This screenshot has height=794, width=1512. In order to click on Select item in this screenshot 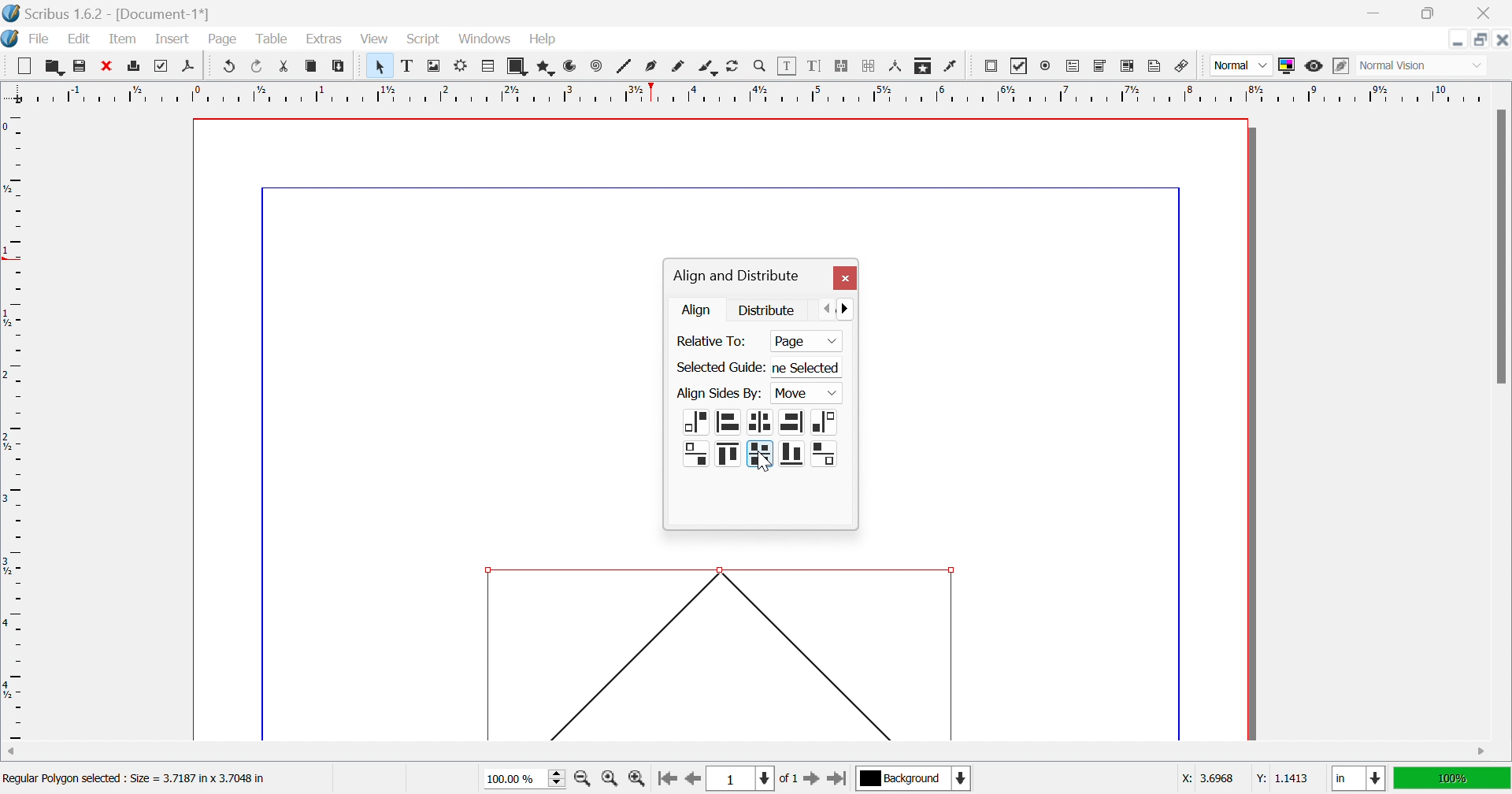, I will do `click(383, 66)`.